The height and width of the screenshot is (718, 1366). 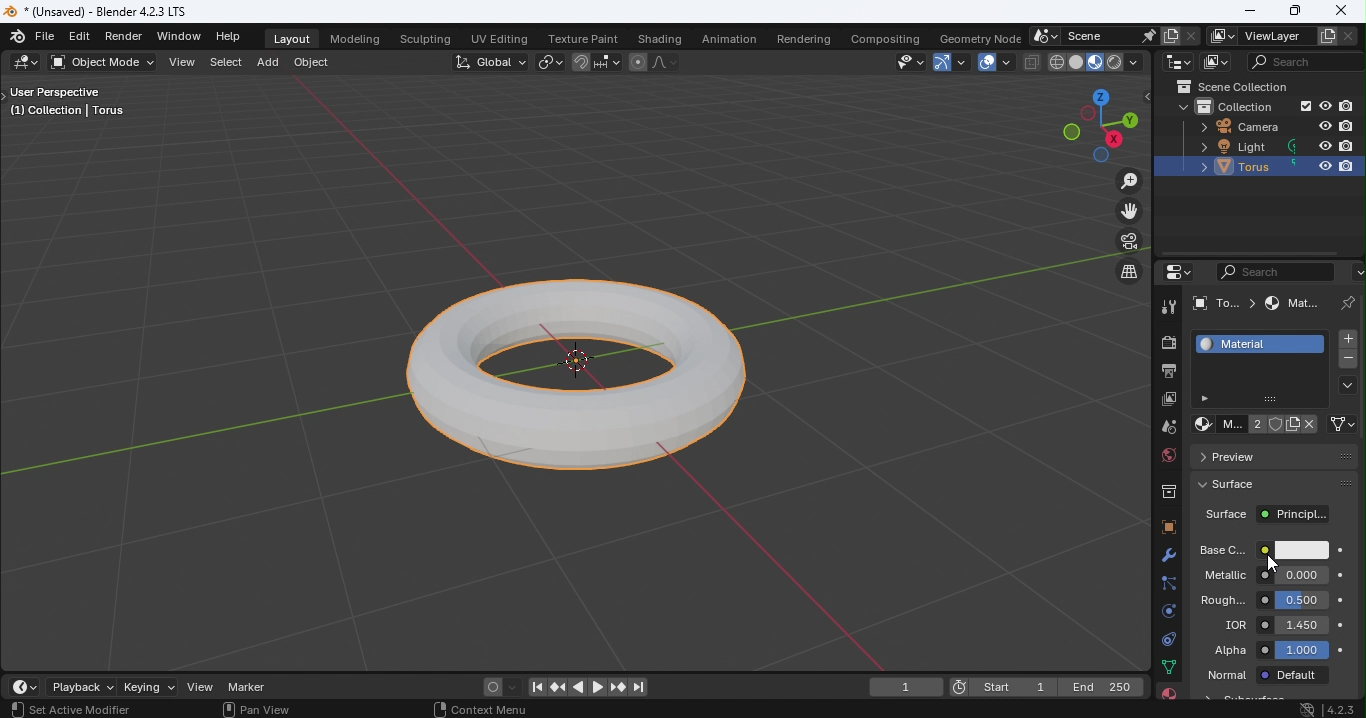 I want to click on Constraints, so click(x=1168, y=637).